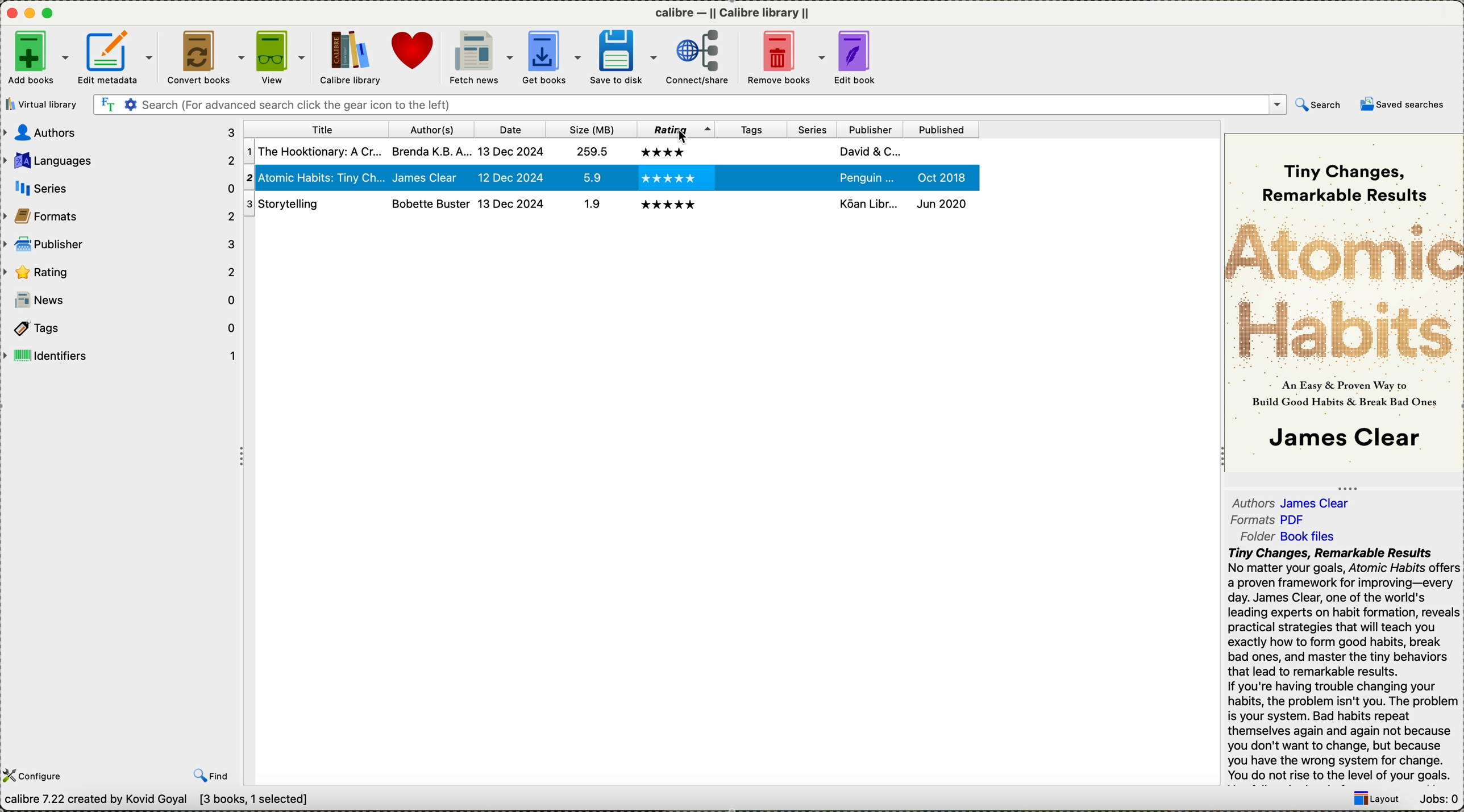 Image resolution: width=1464 pixels, height=812 pixels. What do you see at coordinates (868, 203) in the screenshot?
I see `koan libr...` at bounding box center [868, 203].